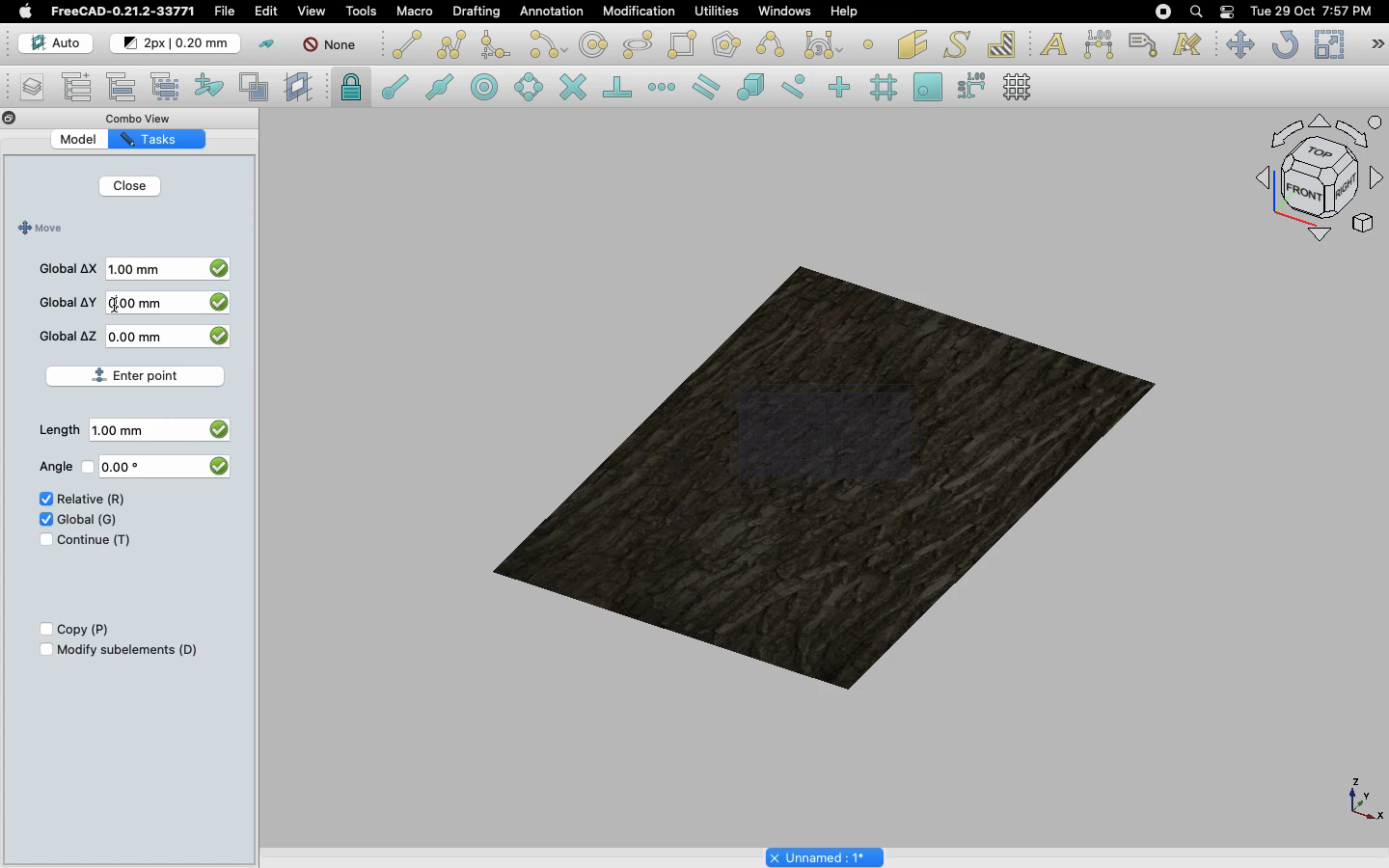  What do you see at coordinates (301, 88) in the screenshot?
I see `Create working plane proxy` at bounding box center [301, 88].